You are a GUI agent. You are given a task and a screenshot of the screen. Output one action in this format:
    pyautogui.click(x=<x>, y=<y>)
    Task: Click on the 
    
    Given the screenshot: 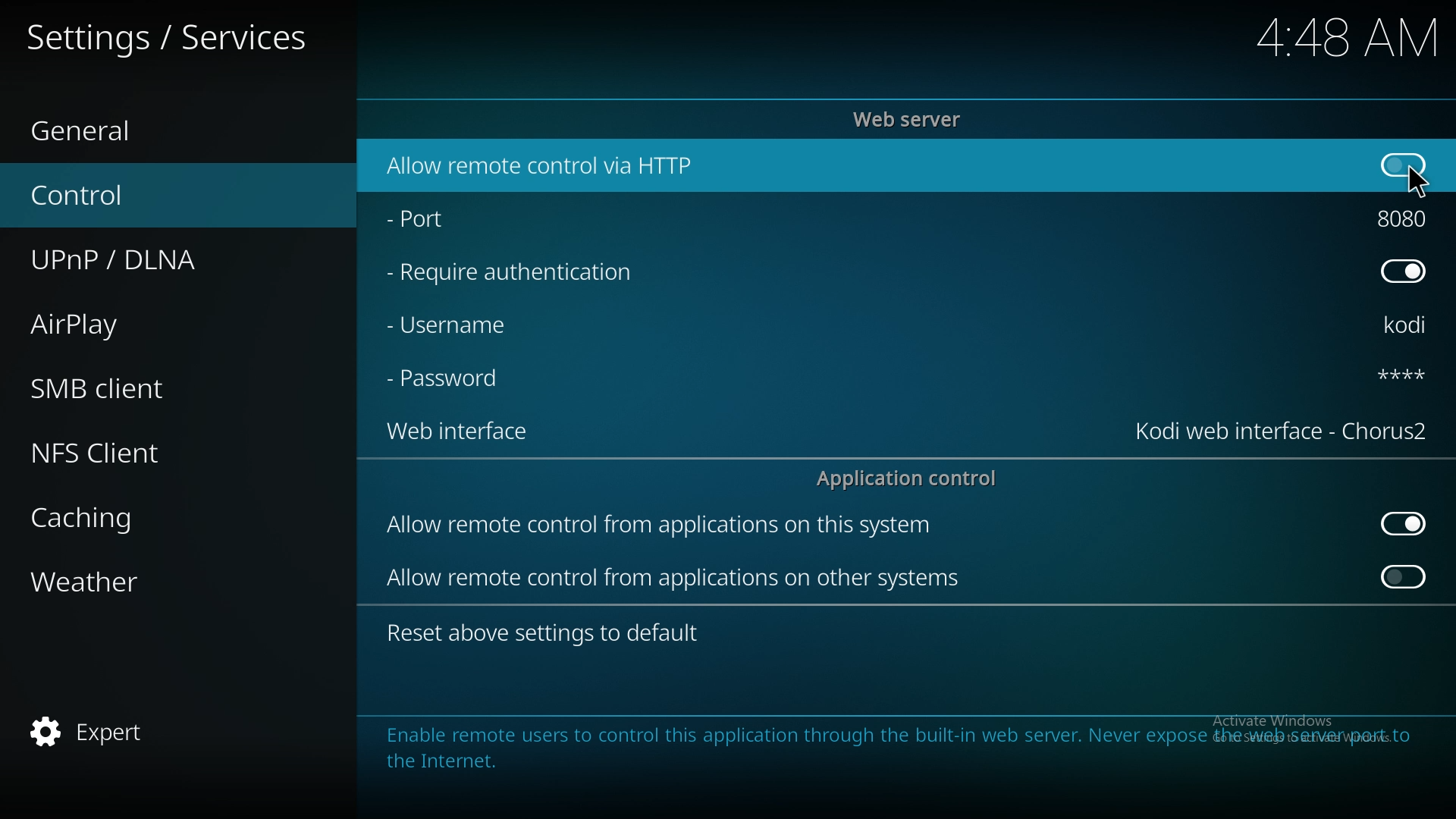 What is the action you would take?
    pyautogui.click(x=1327, y=37)
    